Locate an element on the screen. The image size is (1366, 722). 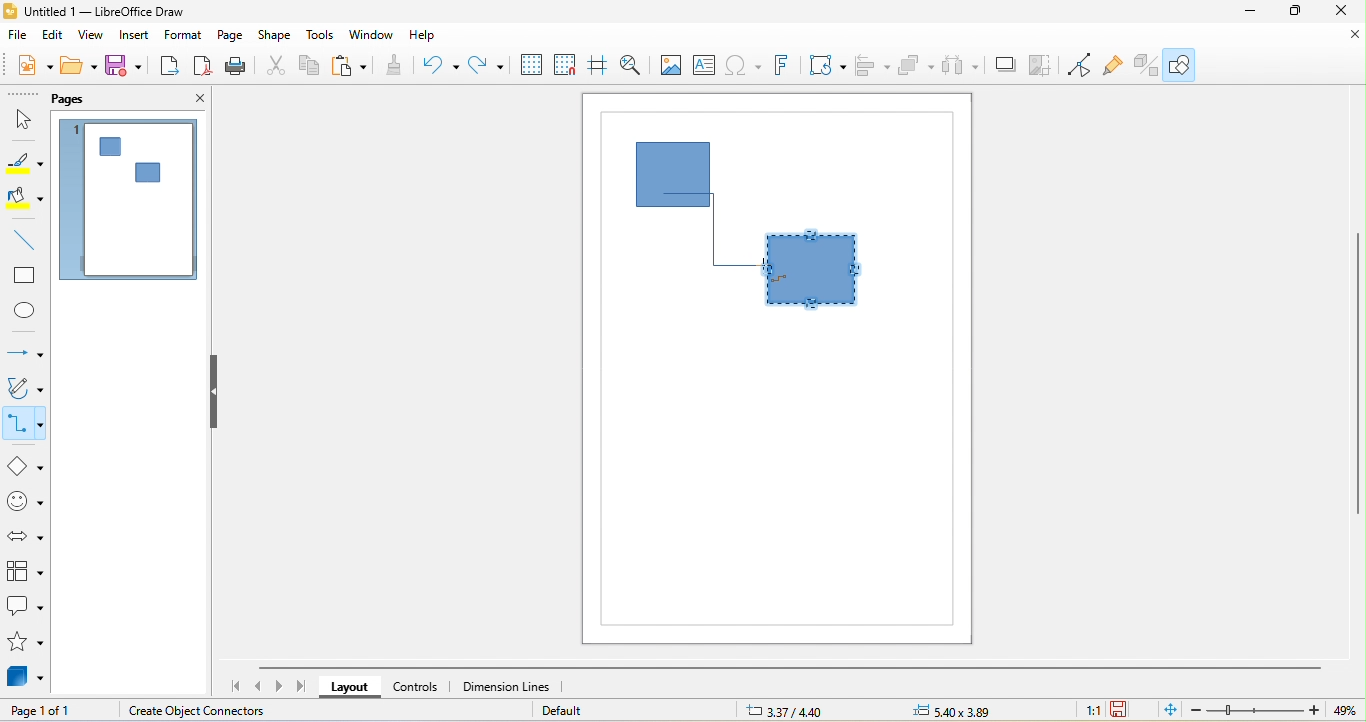
helplines while moving is located at coordinates (601, 64).